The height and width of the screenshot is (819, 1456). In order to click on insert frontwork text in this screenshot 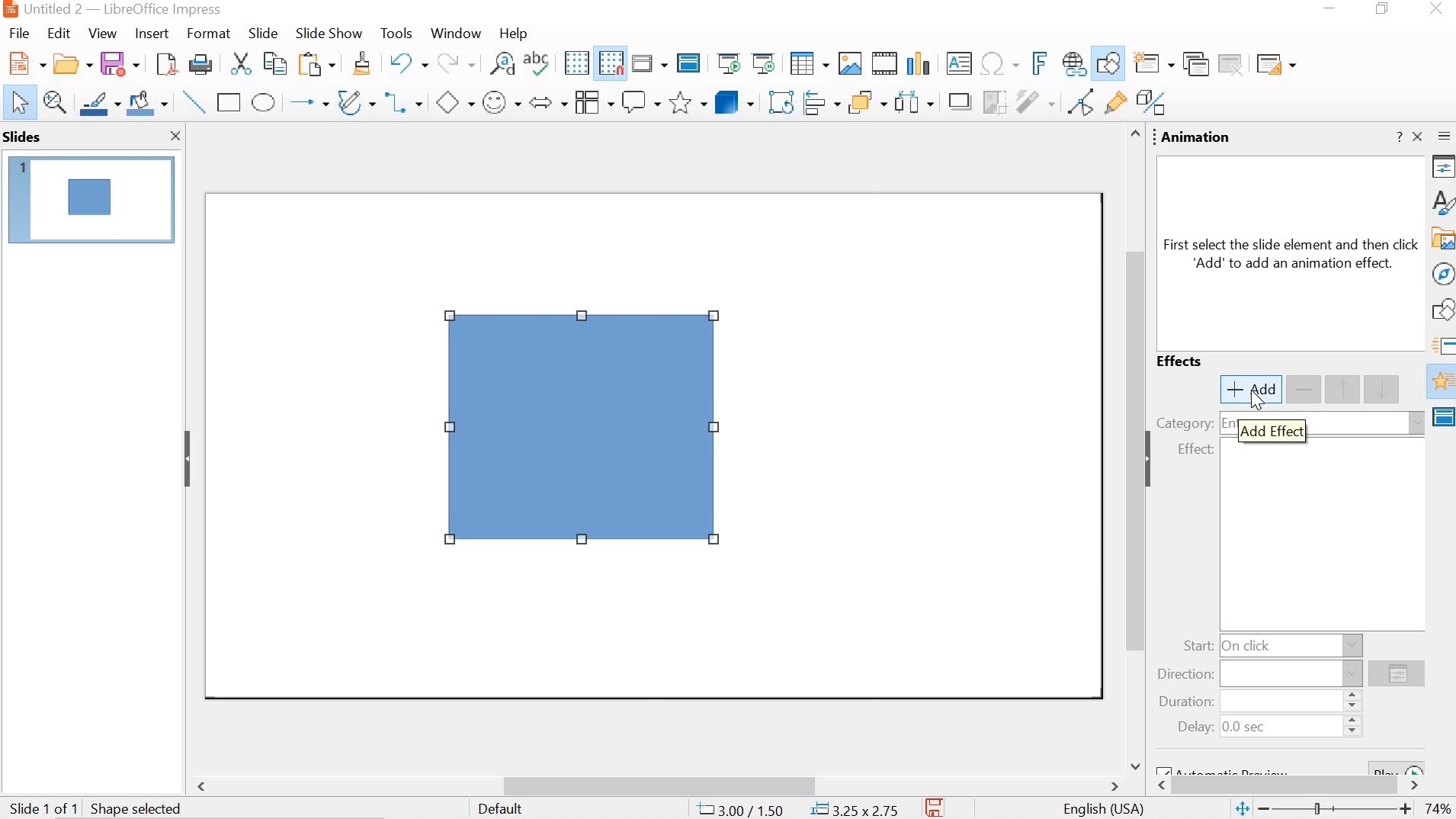, I will do `click(1041, 63)`.